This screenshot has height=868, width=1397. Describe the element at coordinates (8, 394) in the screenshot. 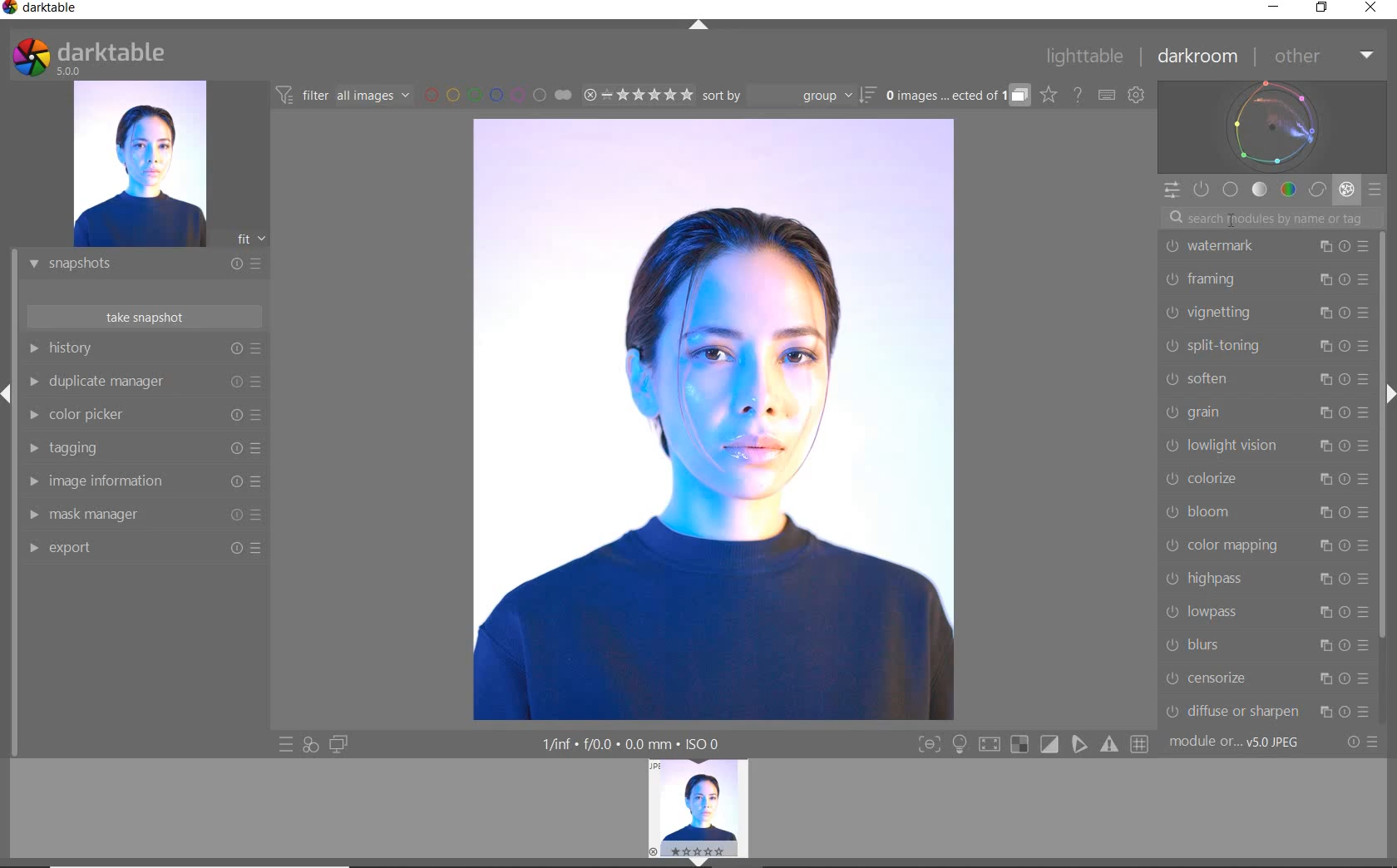

I see `Expand/Collapse` at that location.